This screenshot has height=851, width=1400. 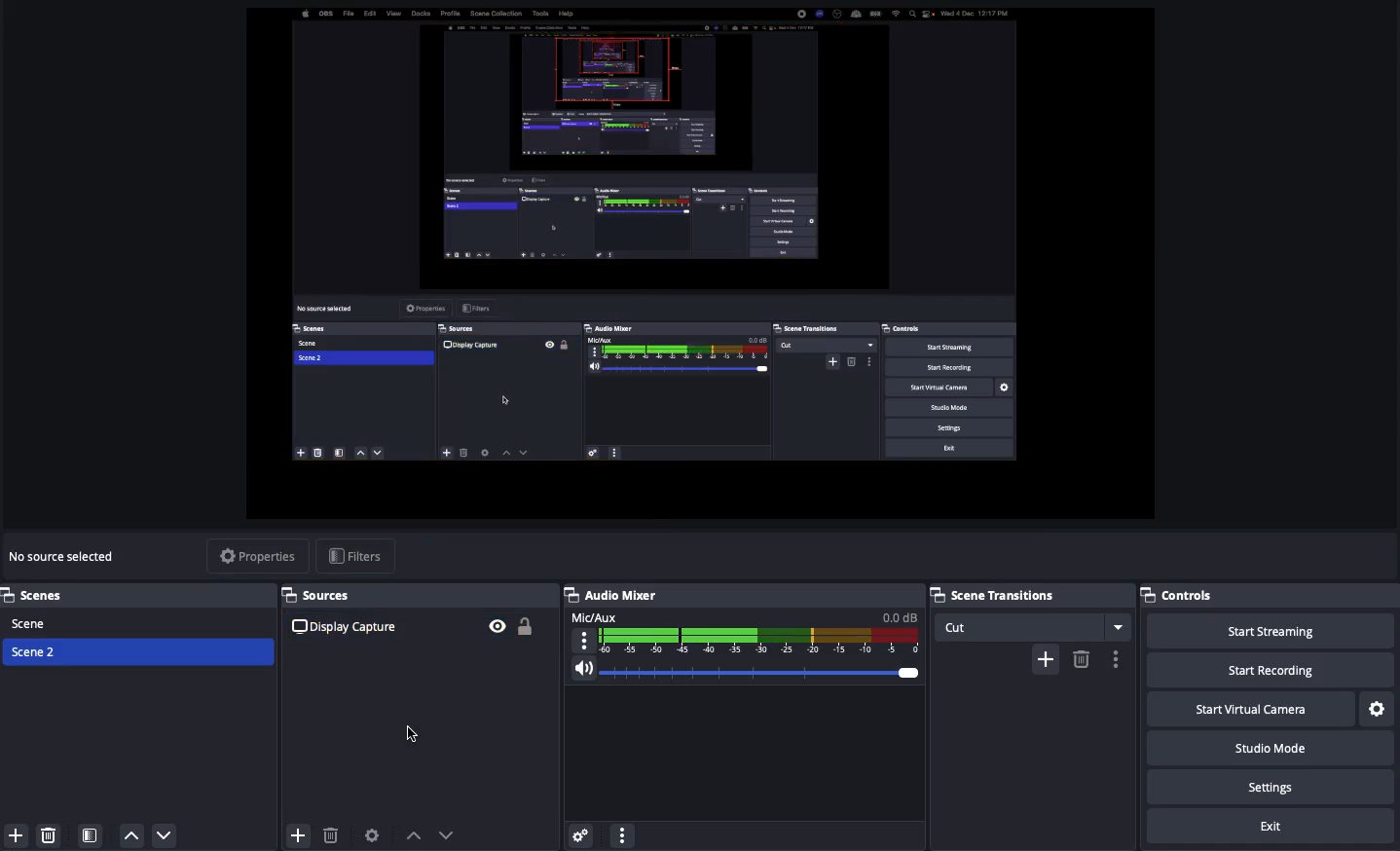 What do you see at coordinates (1247, 707) in the screenshot?
I see `Start virtual camera` at bounding box center [1247, 707].